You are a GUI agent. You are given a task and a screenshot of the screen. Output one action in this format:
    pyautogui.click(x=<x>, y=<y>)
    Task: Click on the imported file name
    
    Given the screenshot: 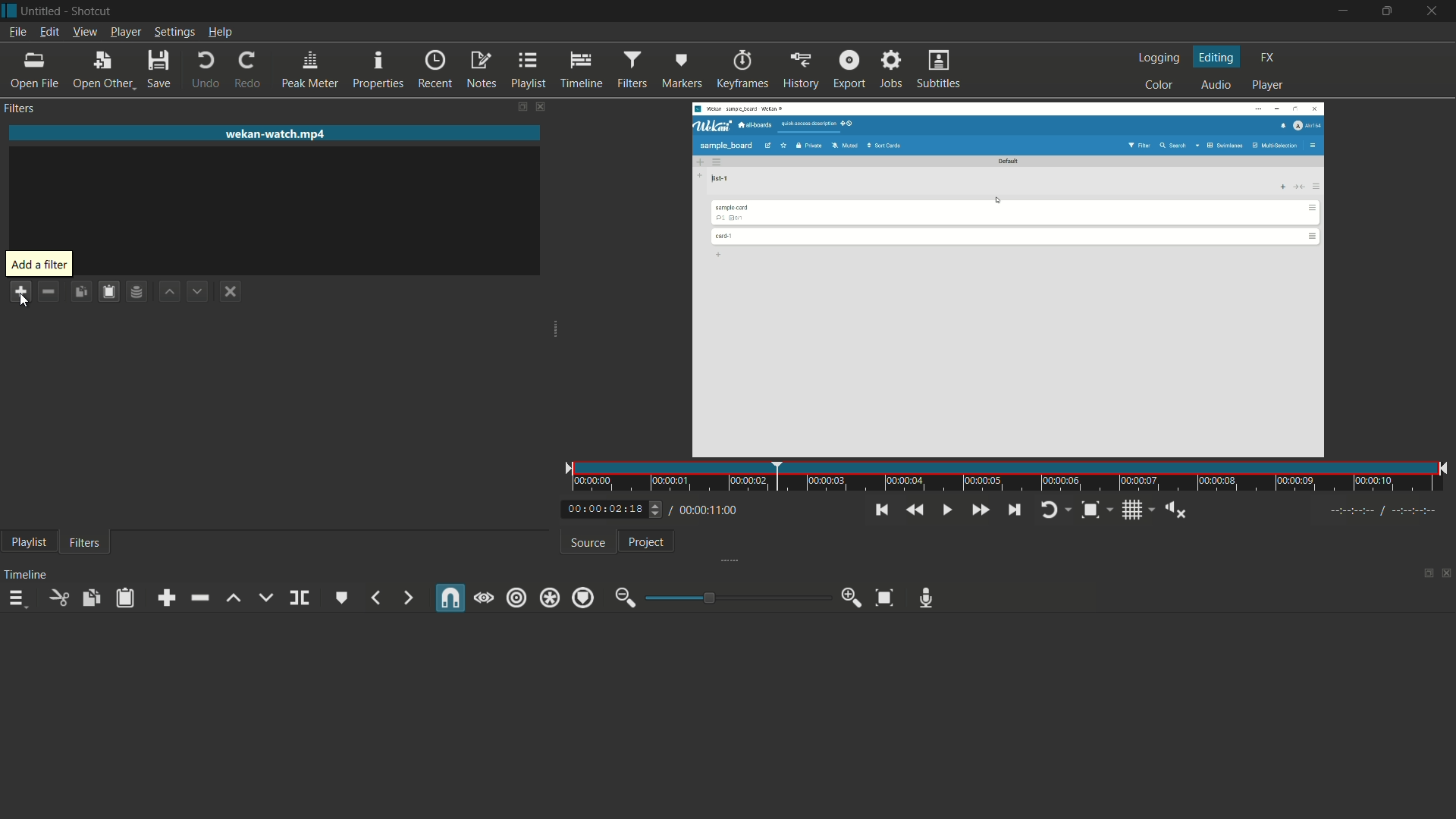 What is the action you would take?
    pyautogui.click(x=275, y=134)
    